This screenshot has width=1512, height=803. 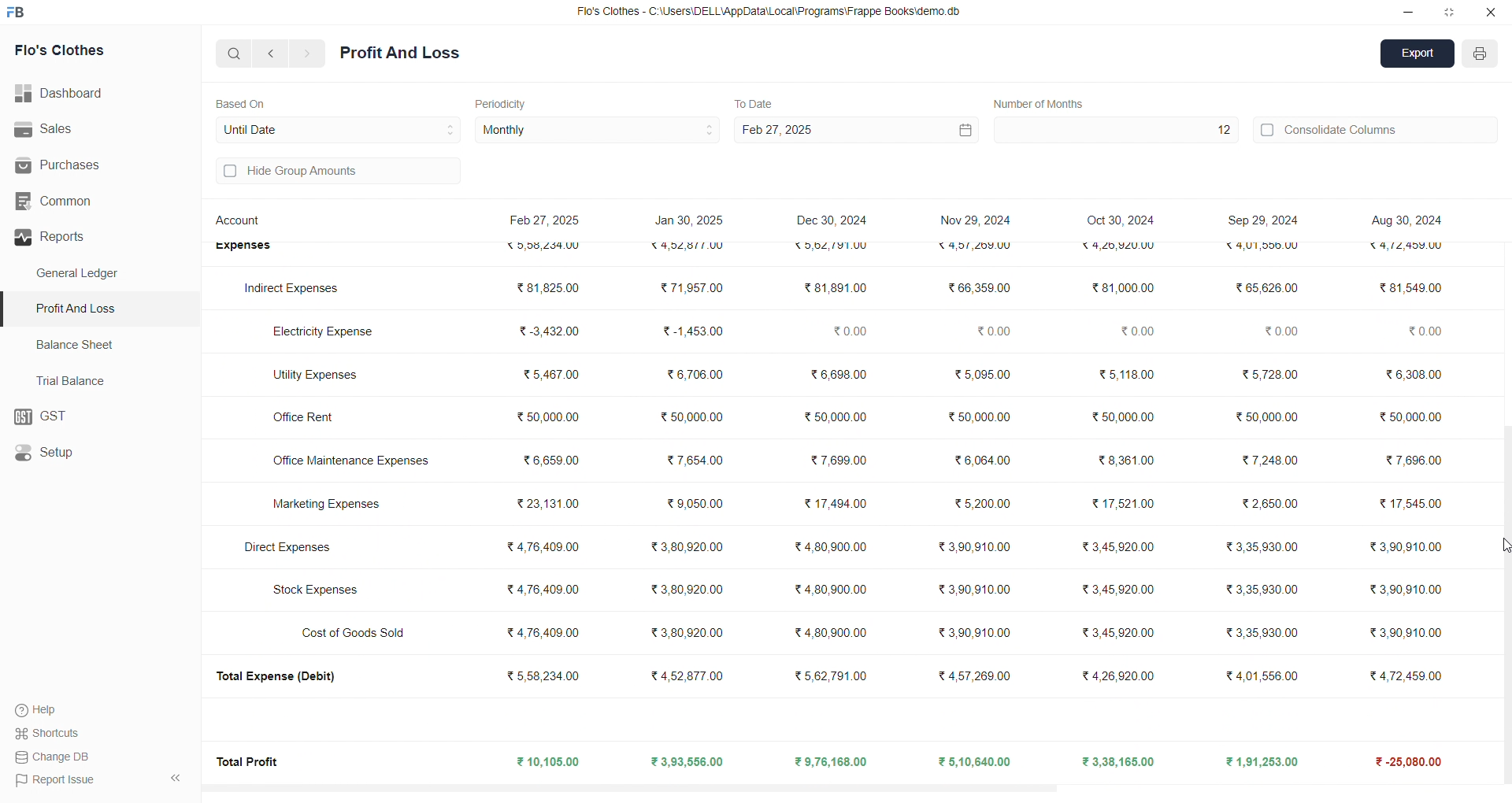 What do you see at coordinates (549, 246) in the screenshot?
I see `₹5,58,234.00` at bounding box center [549, 246].